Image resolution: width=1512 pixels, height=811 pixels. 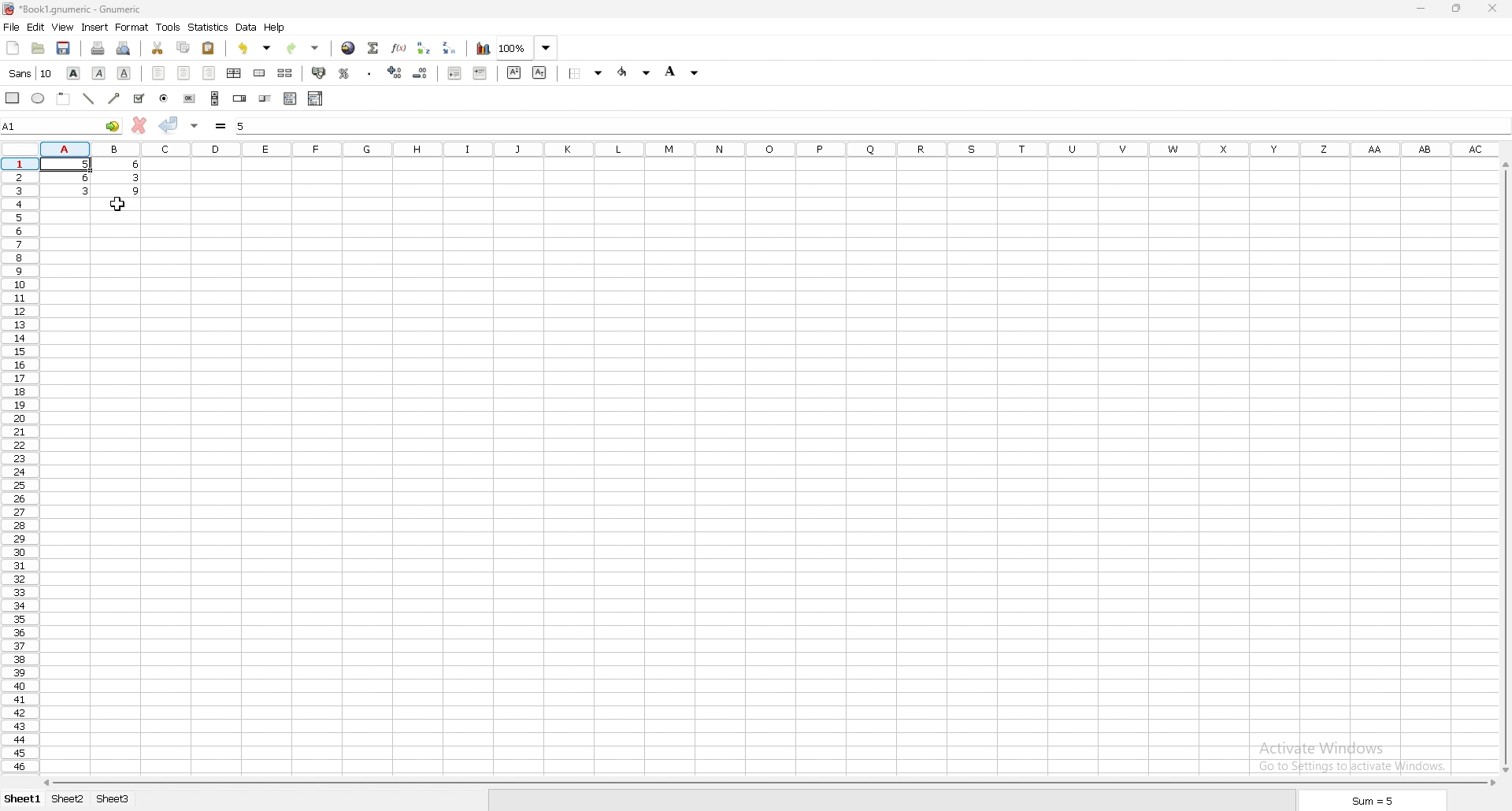 What do you see at coordinates (165, 98) in the screenshot?
I see `radio button` at bounding box center [165, 98].